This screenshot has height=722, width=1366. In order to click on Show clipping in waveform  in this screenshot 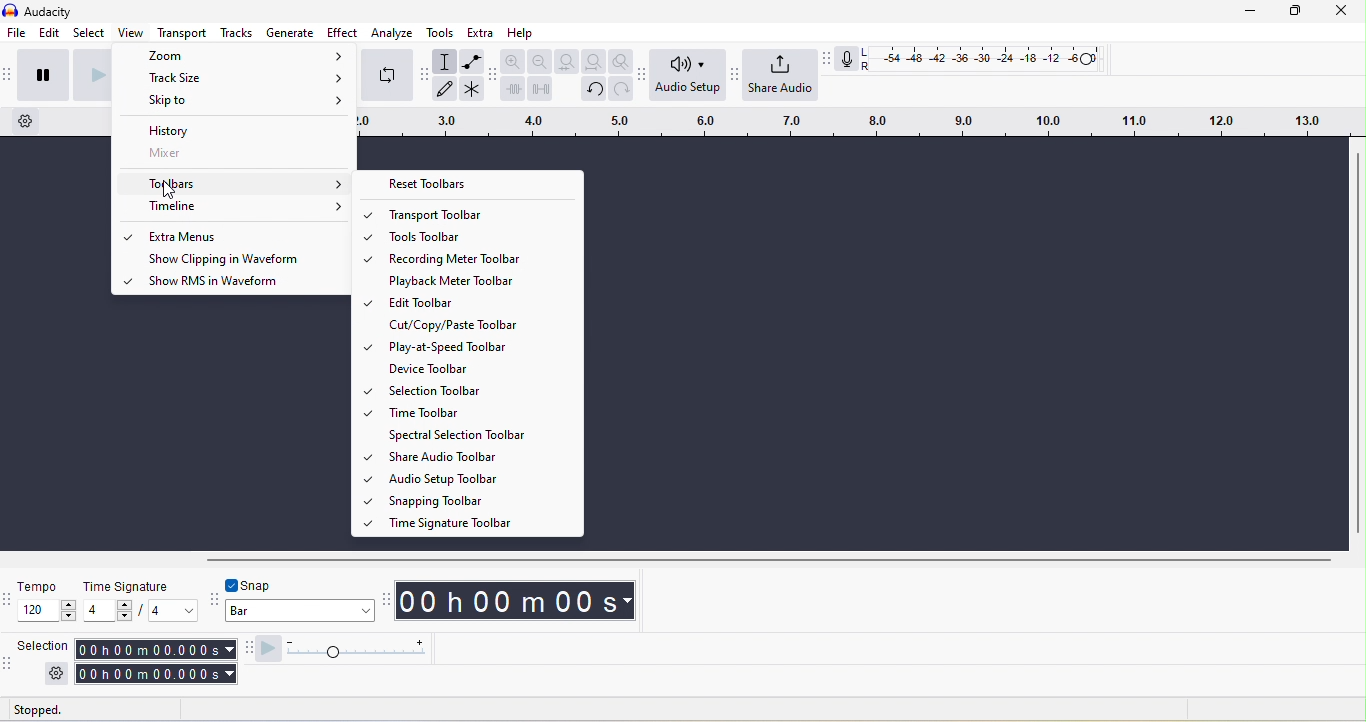, I will do `click(242, 259)`.